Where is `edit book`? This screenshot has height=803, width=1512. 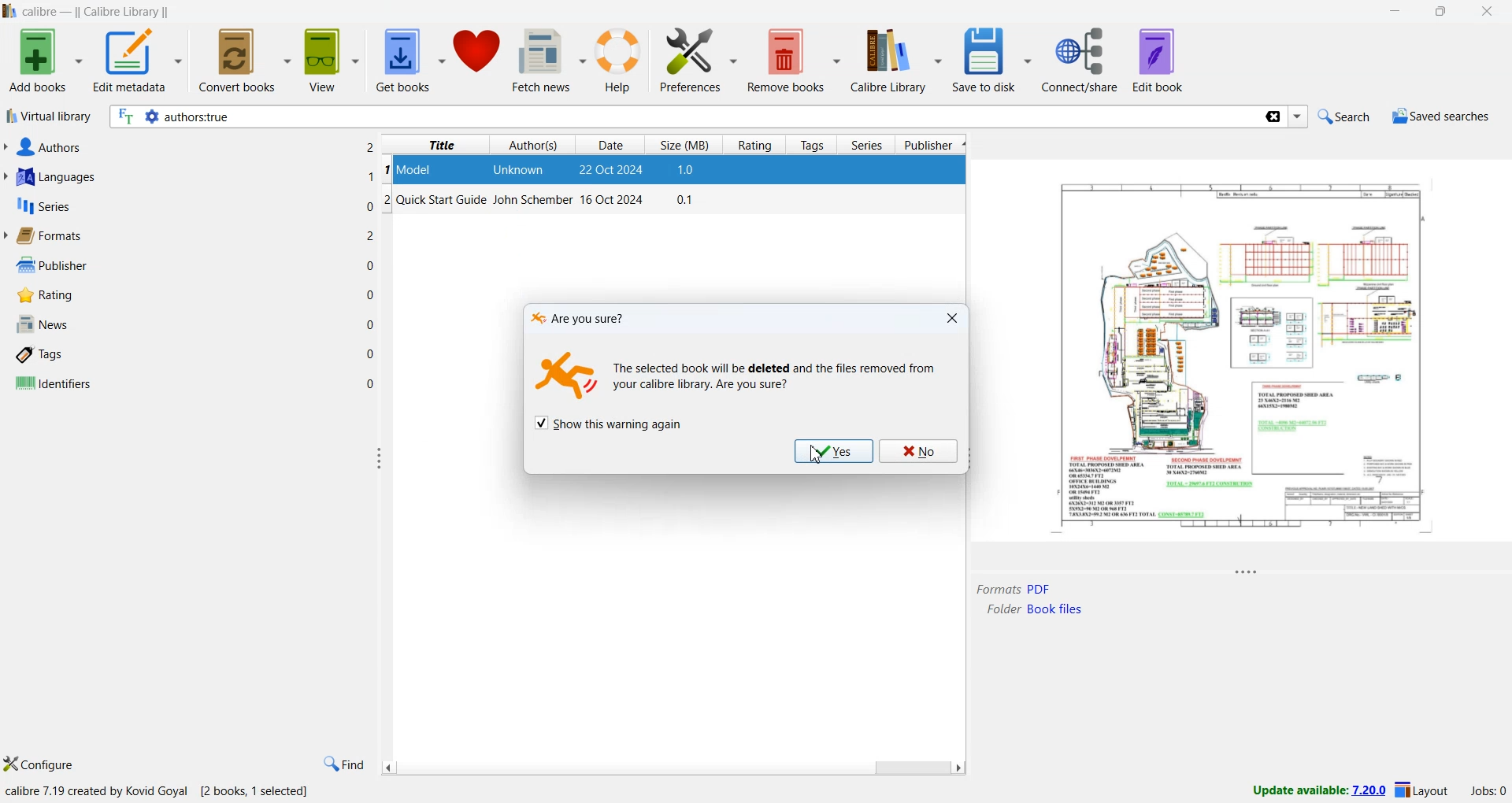
edit book is located at coordinates (1158, 60).